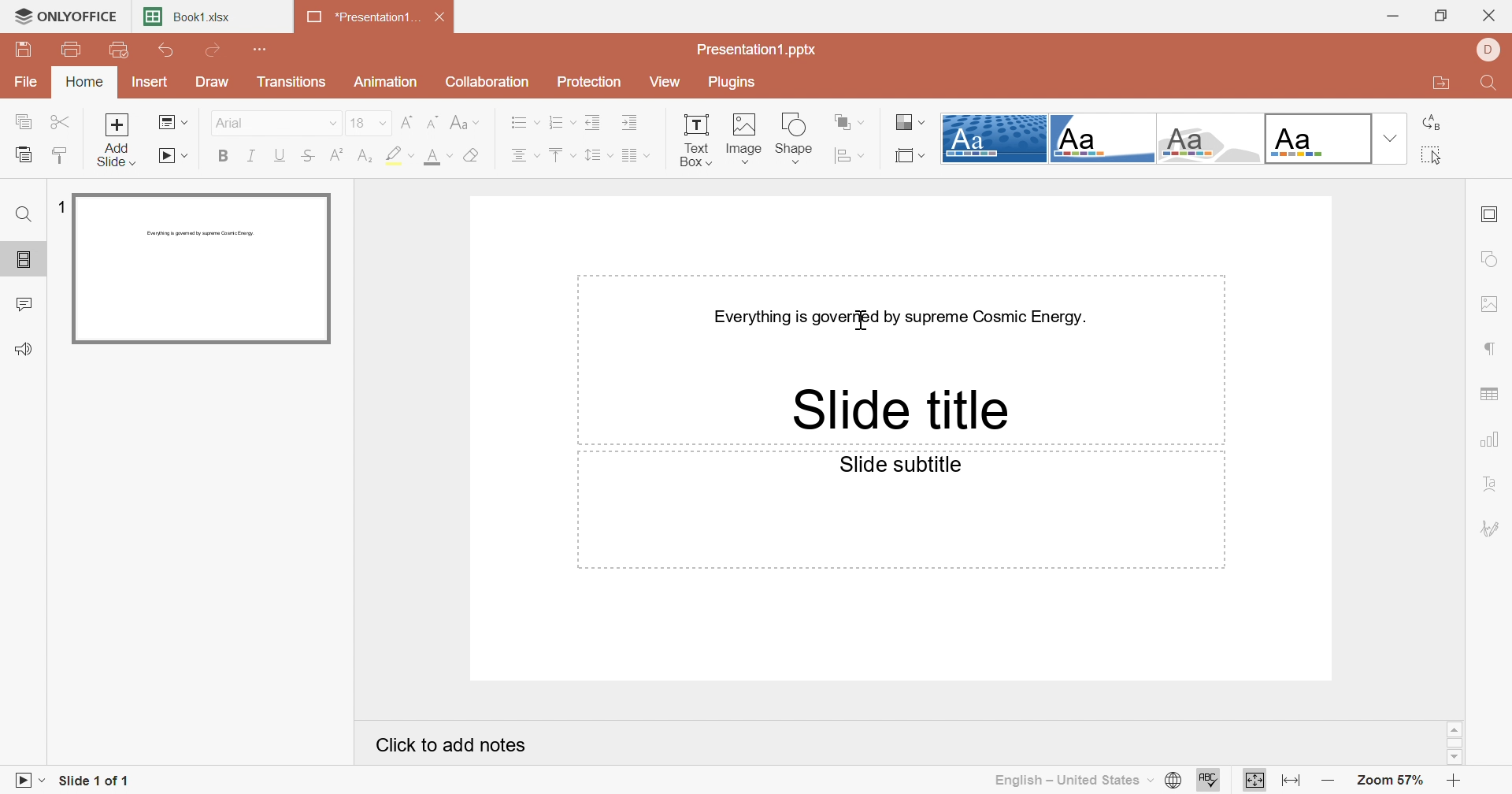  I want to click on subscript, so click(366, 155).